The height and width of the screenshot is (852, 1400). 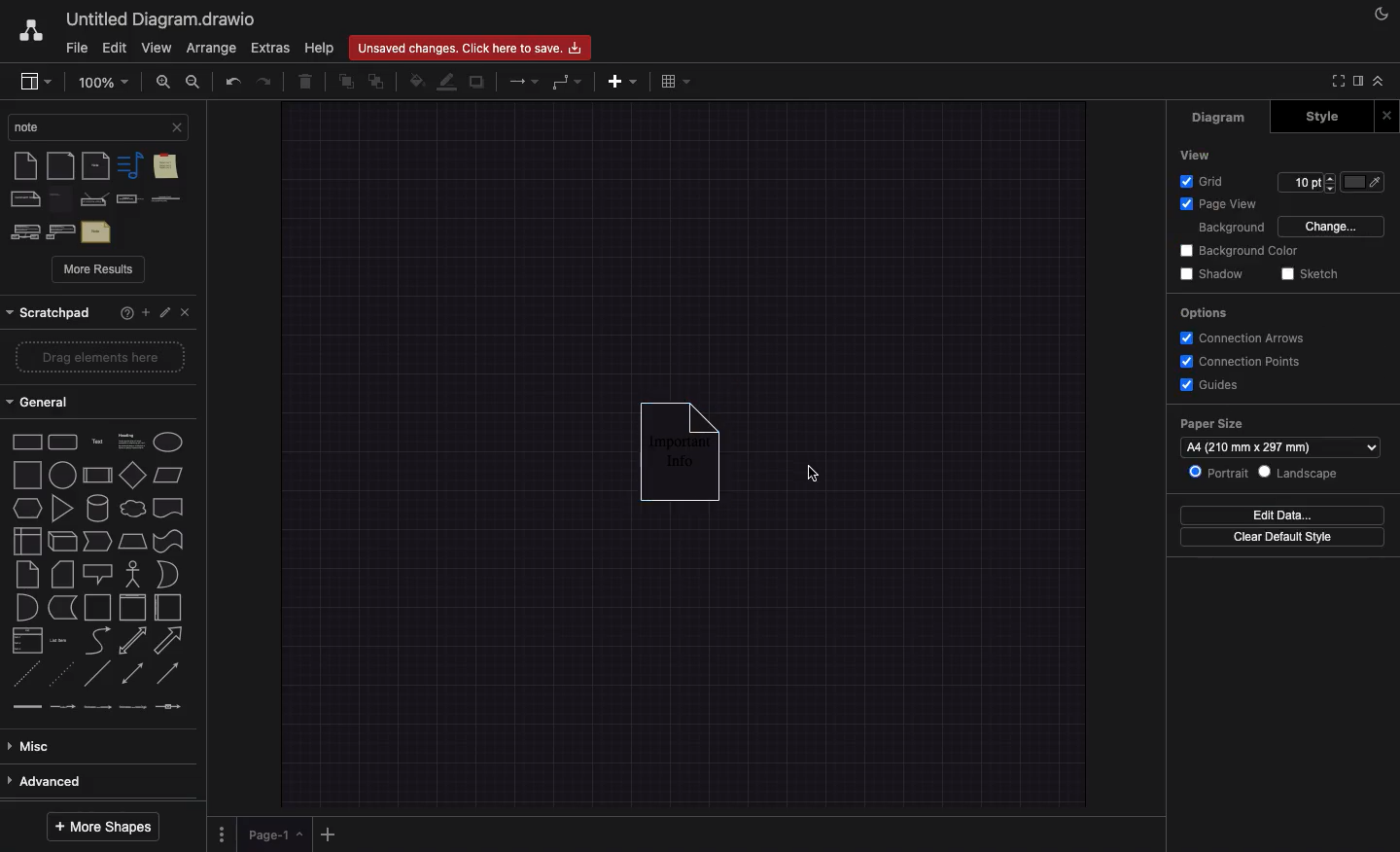 What do you see at coordinates (169, 713) in the screenshot?
I see `connector with symbol` at bounding box center [169, 713].